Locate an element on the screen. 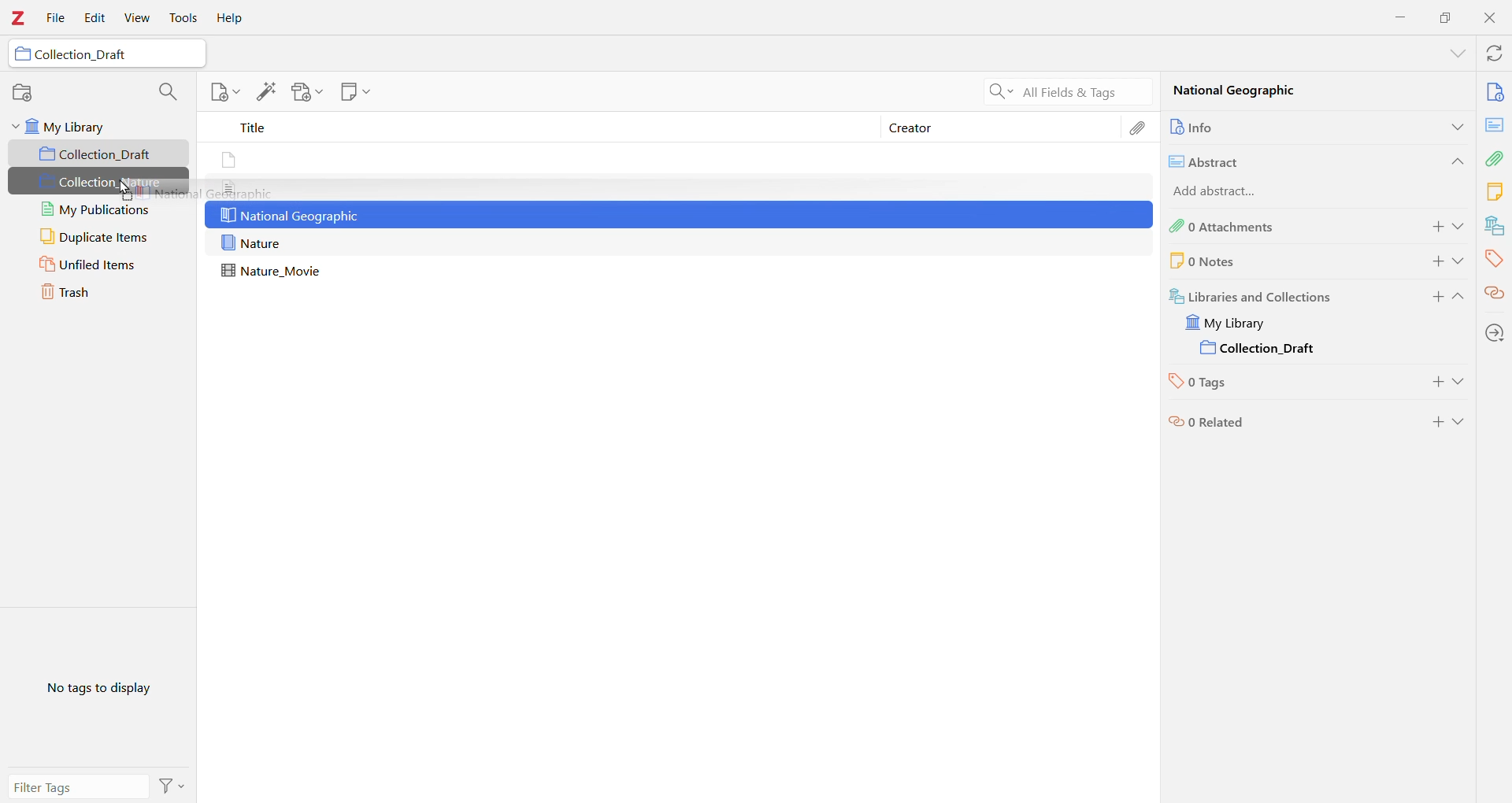 This screenshot has height=803, width=1512. Creator is located at coordinates (1001, 128).